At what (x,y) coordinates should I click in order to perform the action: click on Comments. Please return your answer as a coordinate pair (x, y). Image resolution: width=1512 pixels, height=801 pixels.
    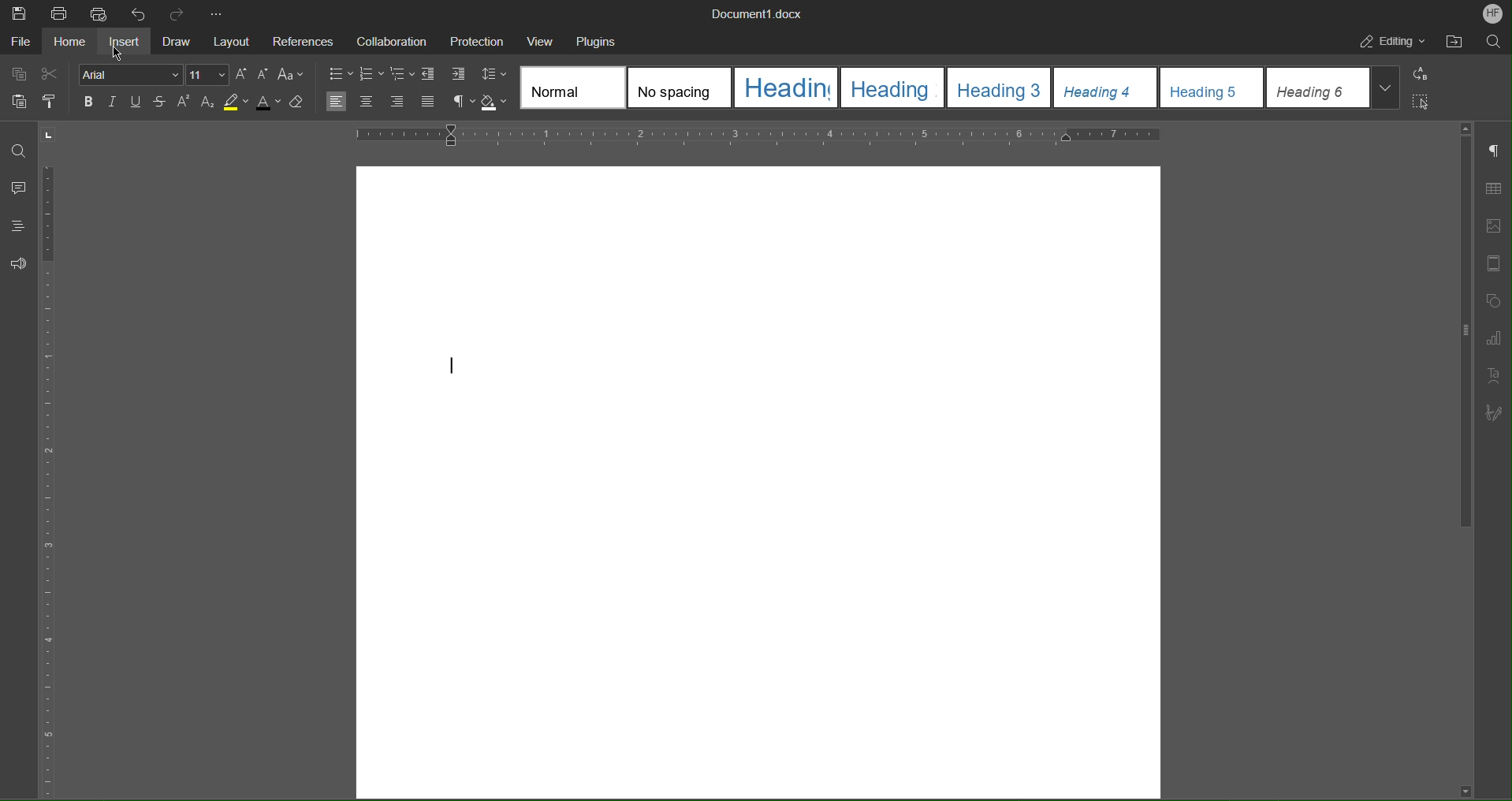
    Looking at the image, I should click on (17, 185).